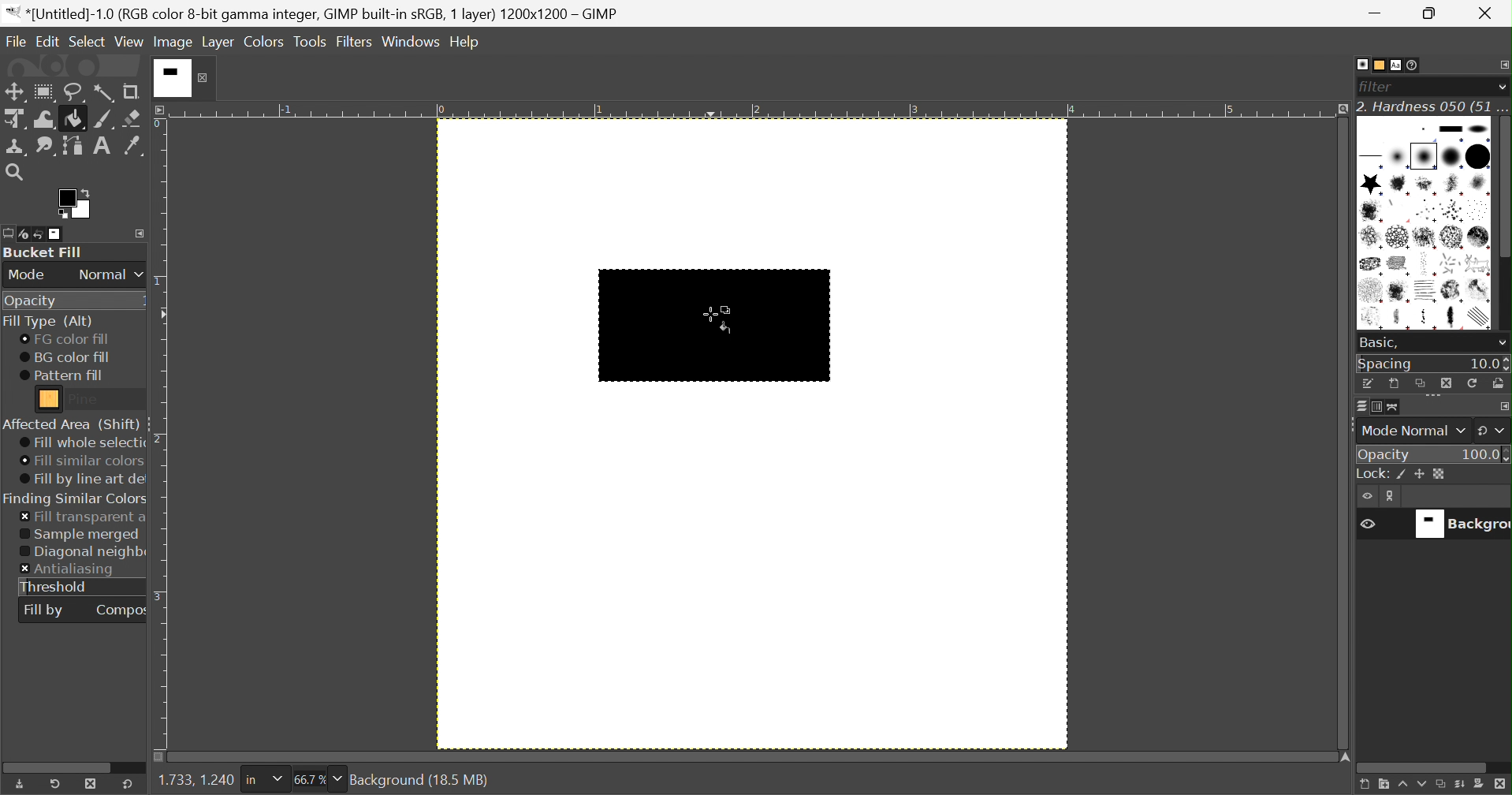  I want to click on 1, so click(159, 283).